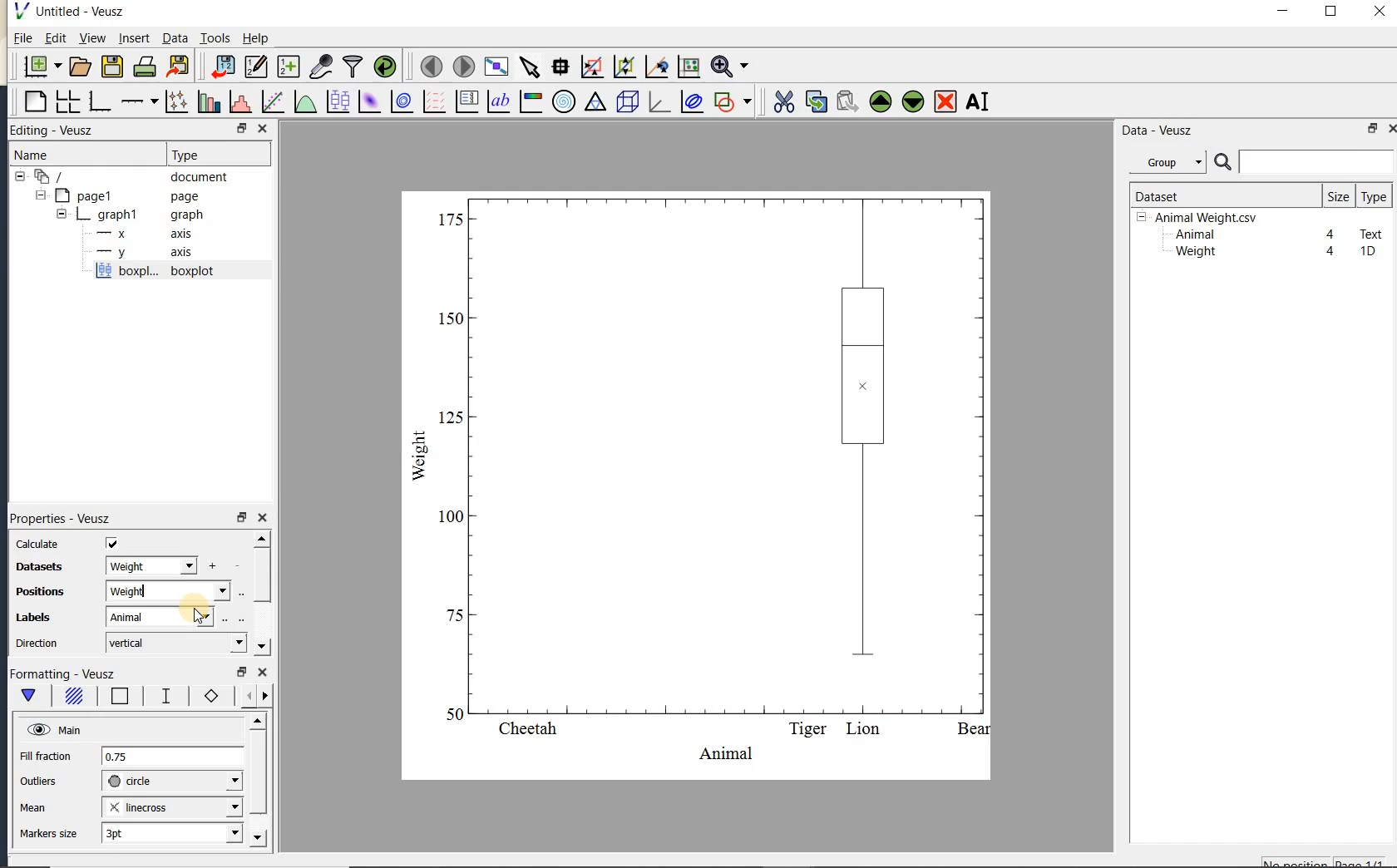 The image size is (1397, 868). What do you see at coordinates (263, 673) in the screenshot?
I see `close` at bounding box center [263, 673].